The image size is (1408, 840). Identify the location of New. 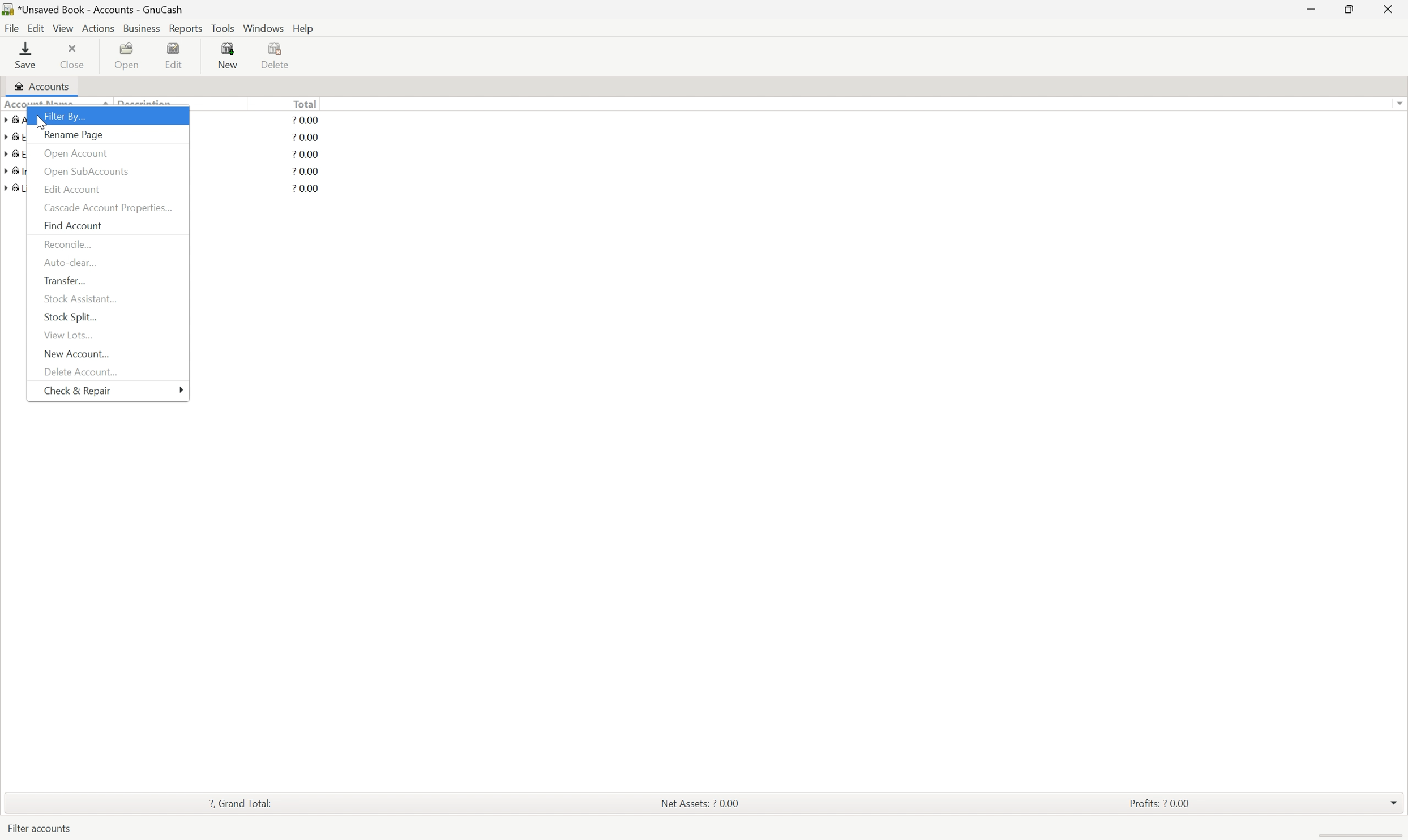
(230, 54).